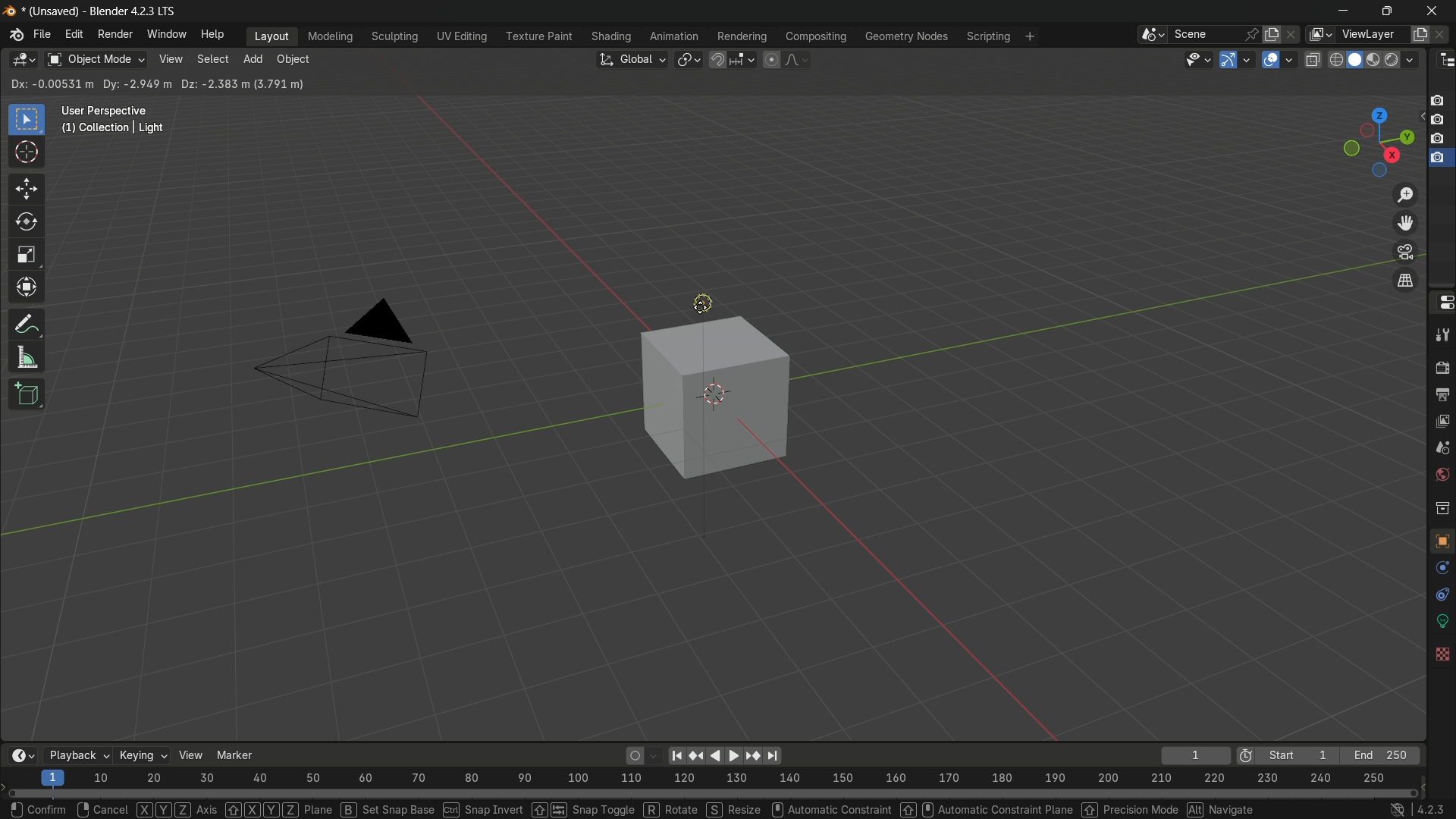 The height and width of the screenshot is (819, 1456). Describe the element at coordinates (166, 35) in the screenshot. I see `window menu` at that location.